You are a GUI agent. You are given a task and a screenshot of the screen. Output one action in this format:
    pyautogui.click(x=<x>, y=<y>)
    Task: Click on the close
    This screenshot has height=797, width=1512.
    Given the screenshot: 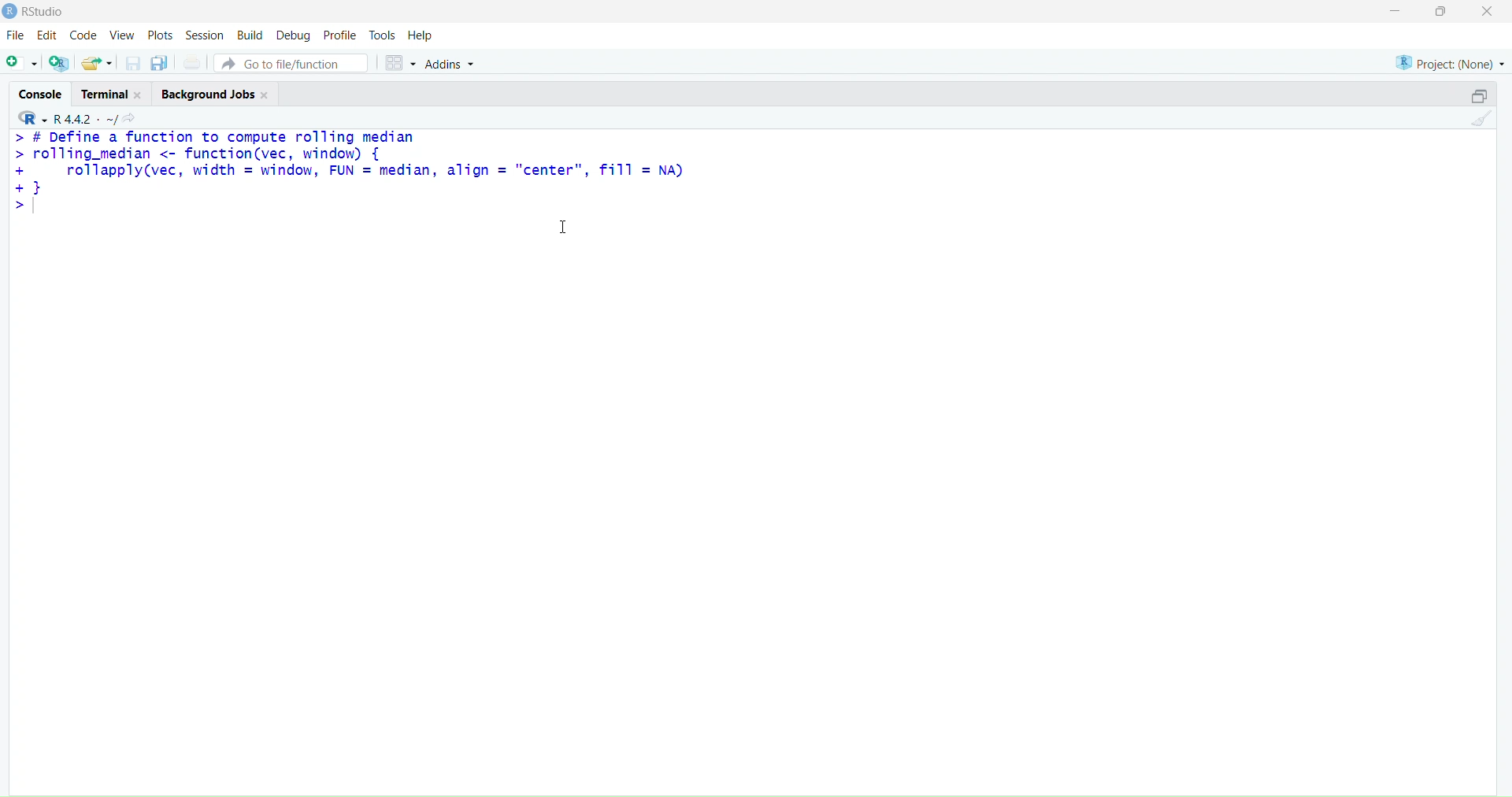 What is the action you would take?
    pyautogui.click(x=1488, y=10)
    